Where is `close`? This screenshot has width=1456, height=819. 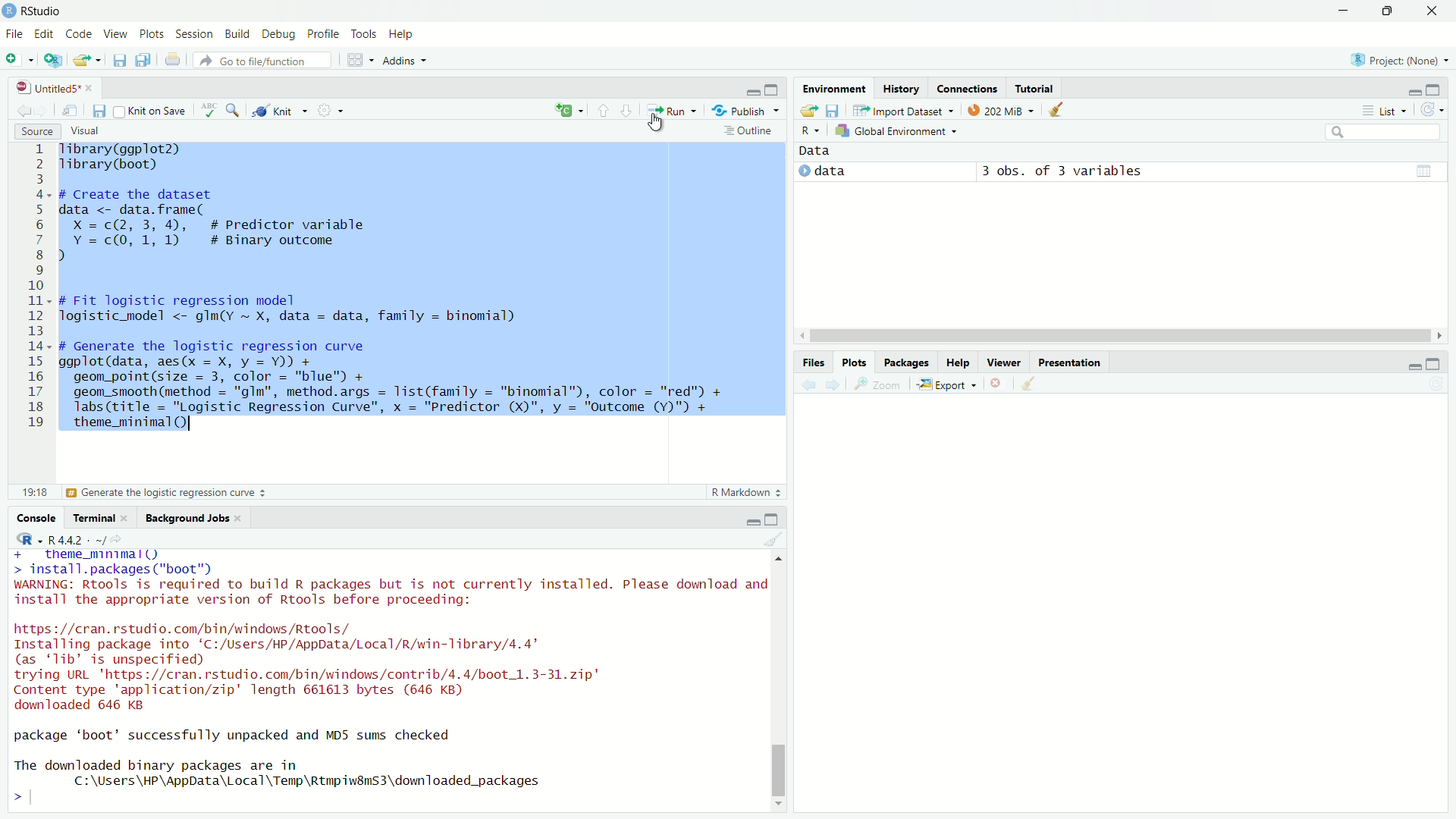
close is located at coordinates (1431, 11).